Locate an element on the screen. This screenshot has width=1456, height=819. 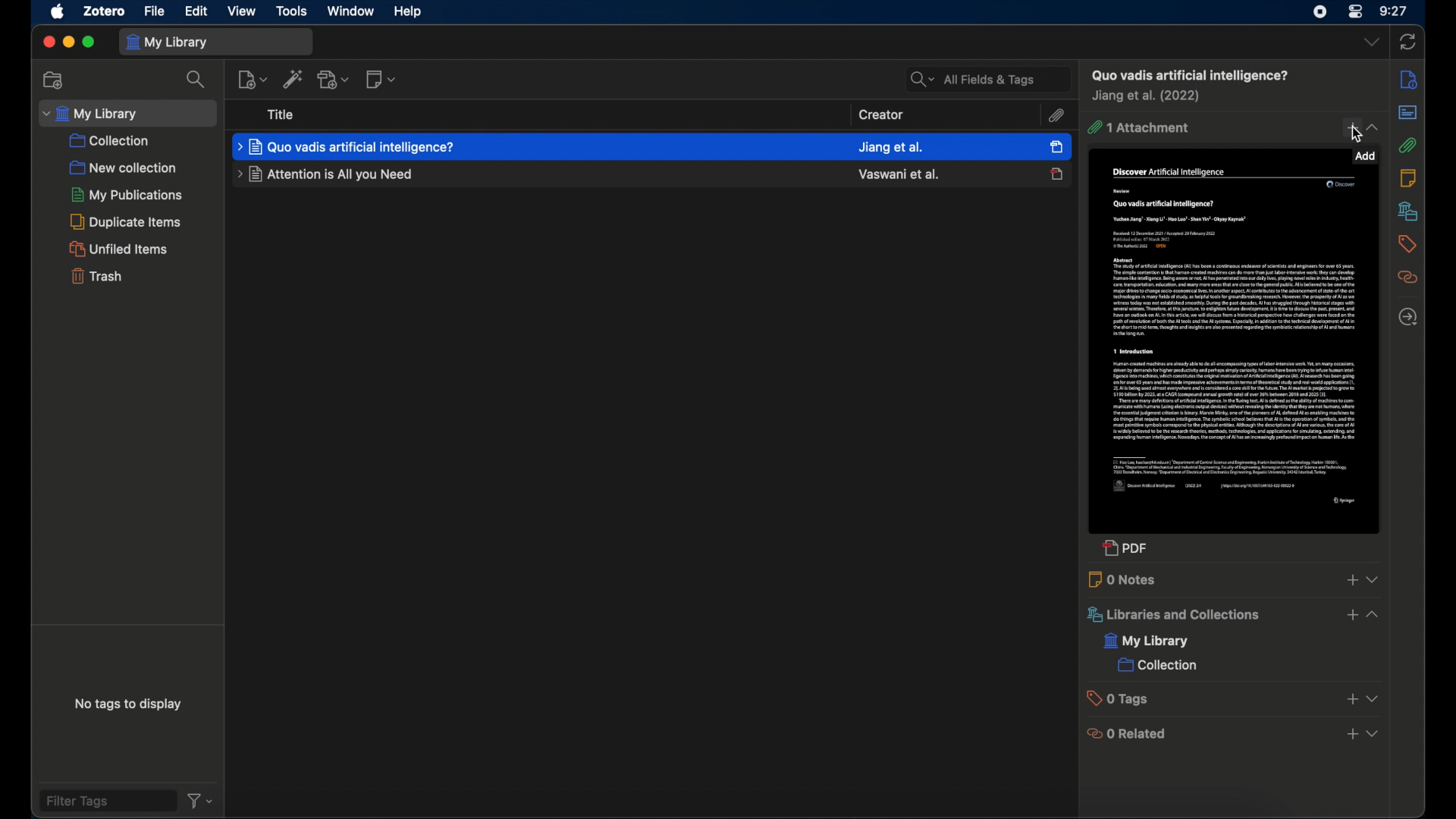
attachments is located at coordinates (1407, 146).